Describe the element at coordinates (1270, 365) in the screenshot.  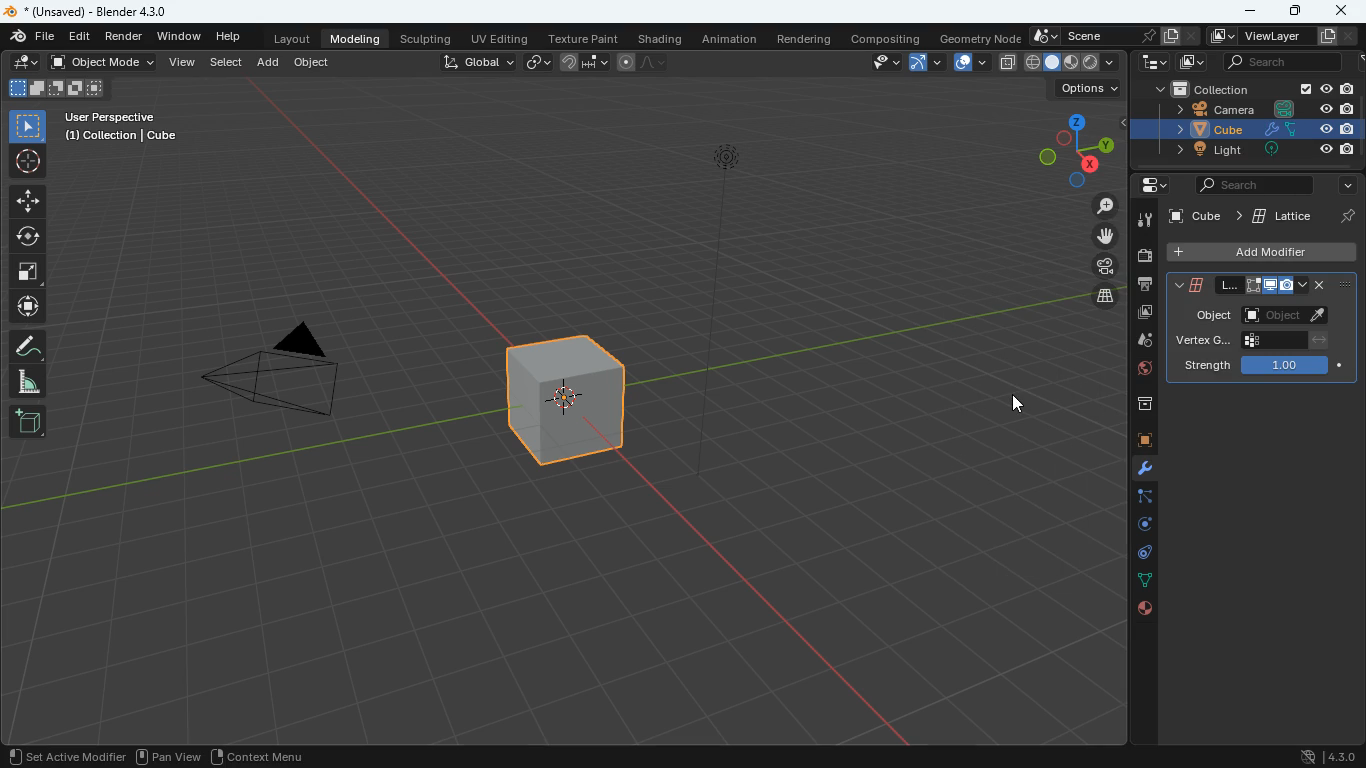
I see `strenght` at that location.